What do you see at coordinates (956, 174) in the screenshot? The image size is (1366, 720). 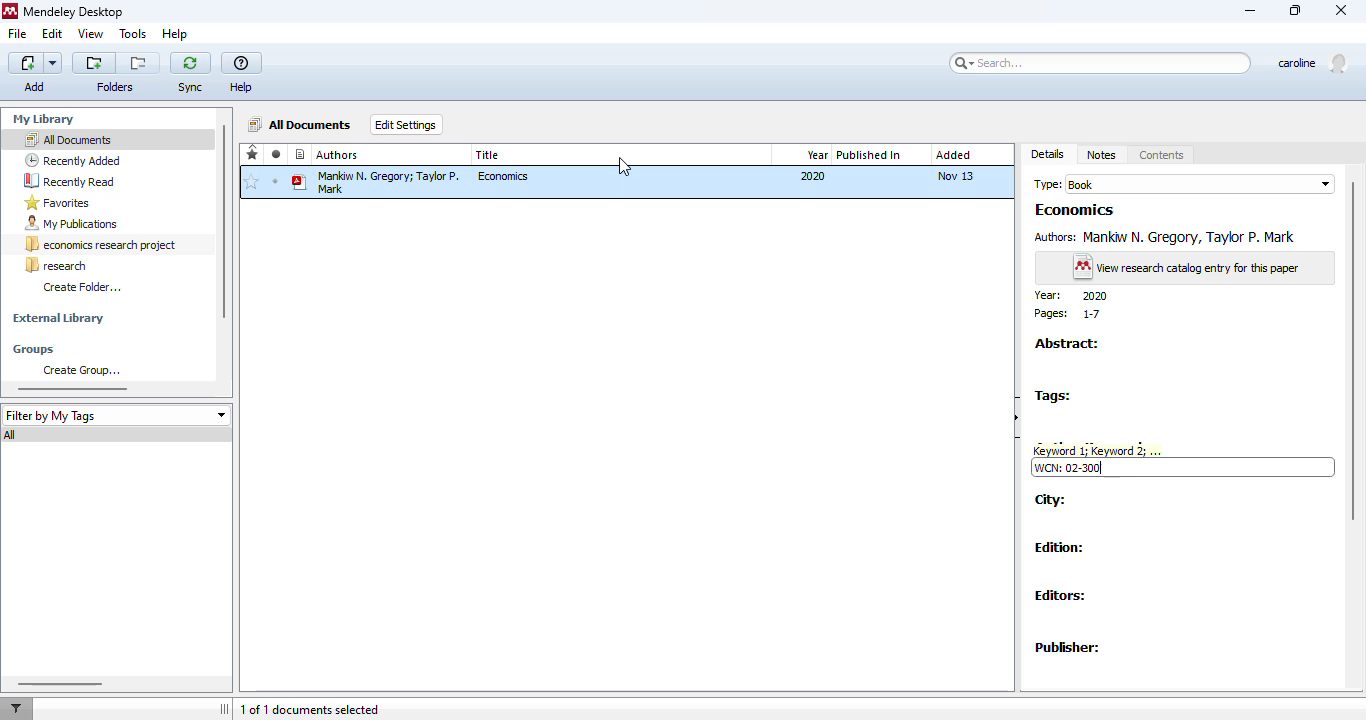 I see `Nov 13` at bounding box center [956, 174].